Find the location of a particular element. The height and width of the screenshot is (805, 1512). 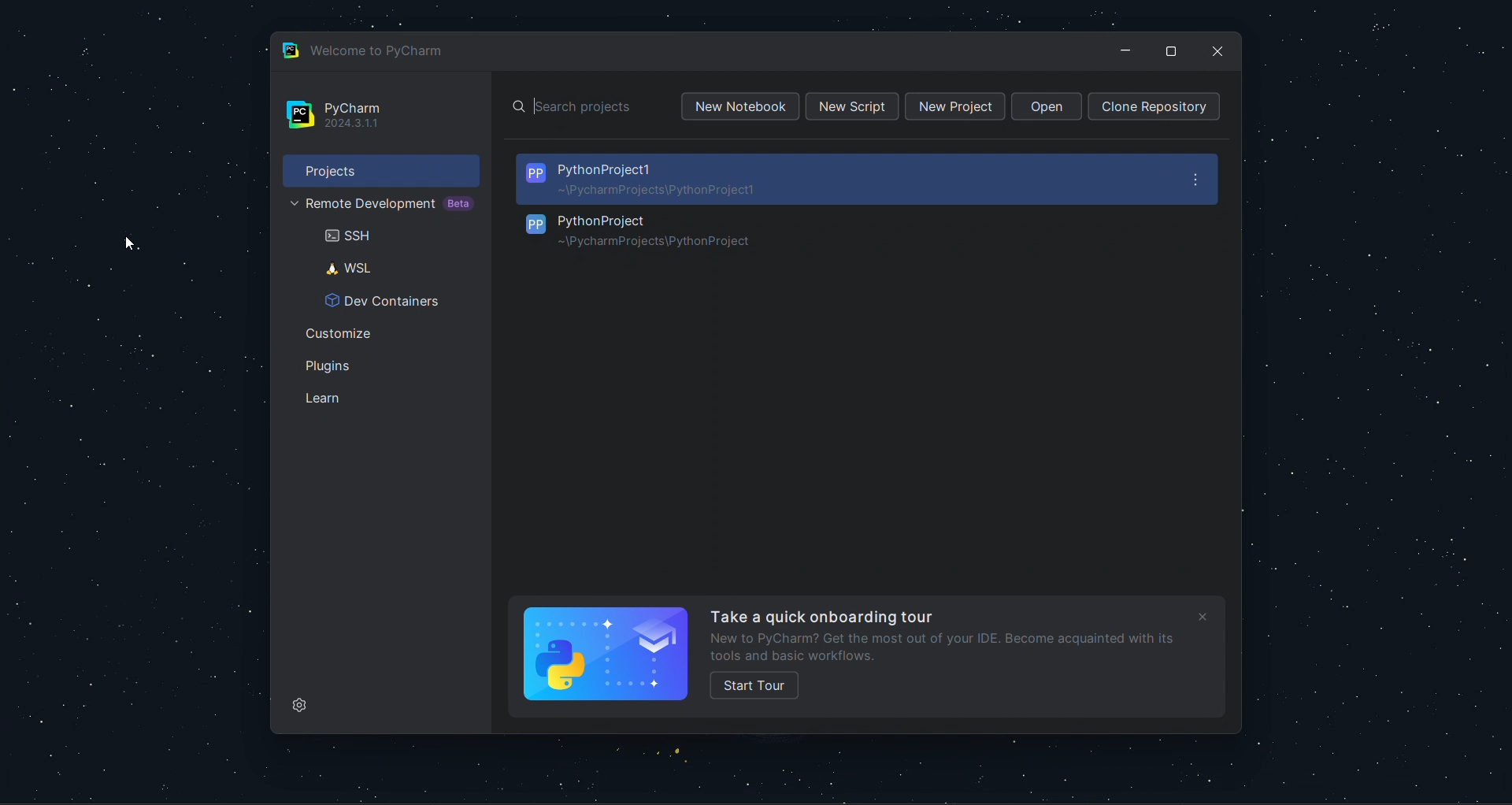

remote development is located at coordinates (381, 208).